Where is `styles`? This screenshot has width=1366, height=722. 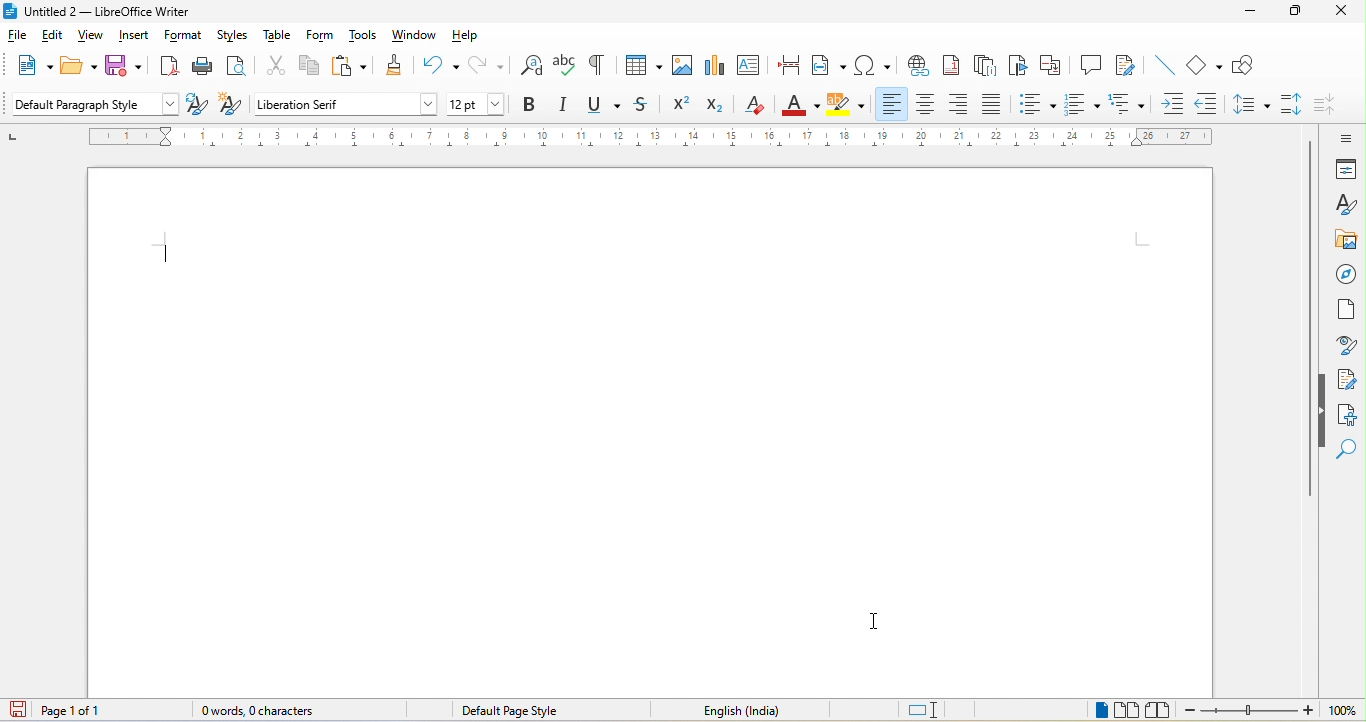
styles is located at coordinates (1345, 205).